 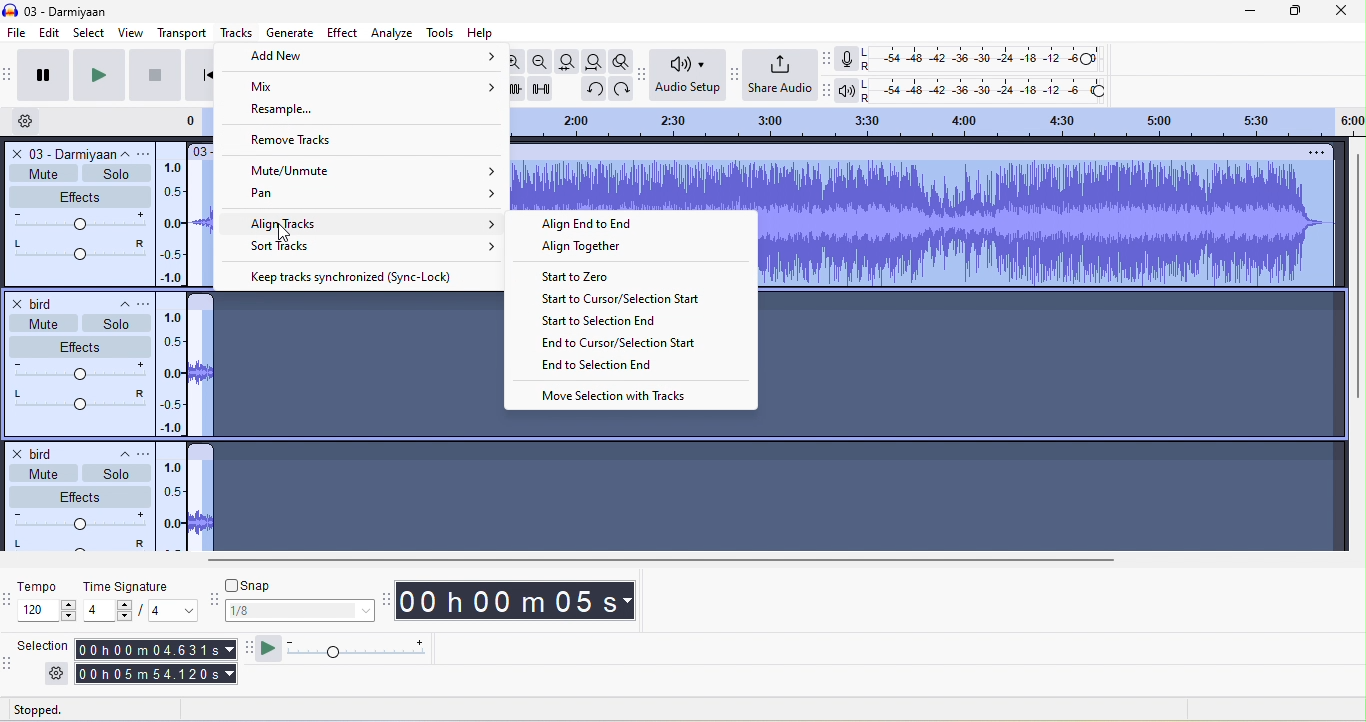 What do you see at coordinates (80, 345) in the screenshot?
I see `effect` at bounding box center [80, 345].